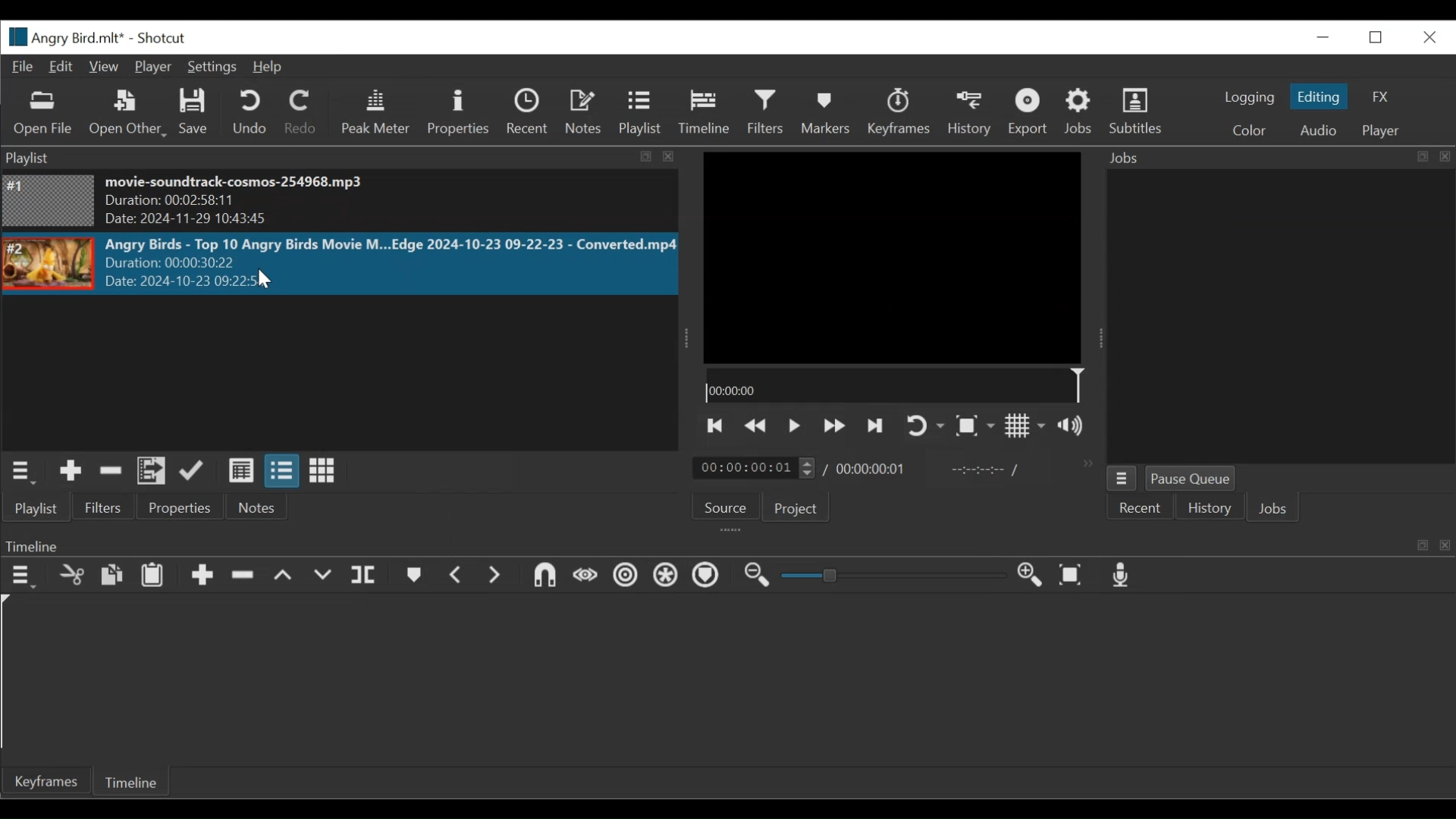 The height and width of the screenshot is (819, 1456). Describe the element at coordinates (977, 427) in the screenshot. I see `Toggle Zoom` at that location.